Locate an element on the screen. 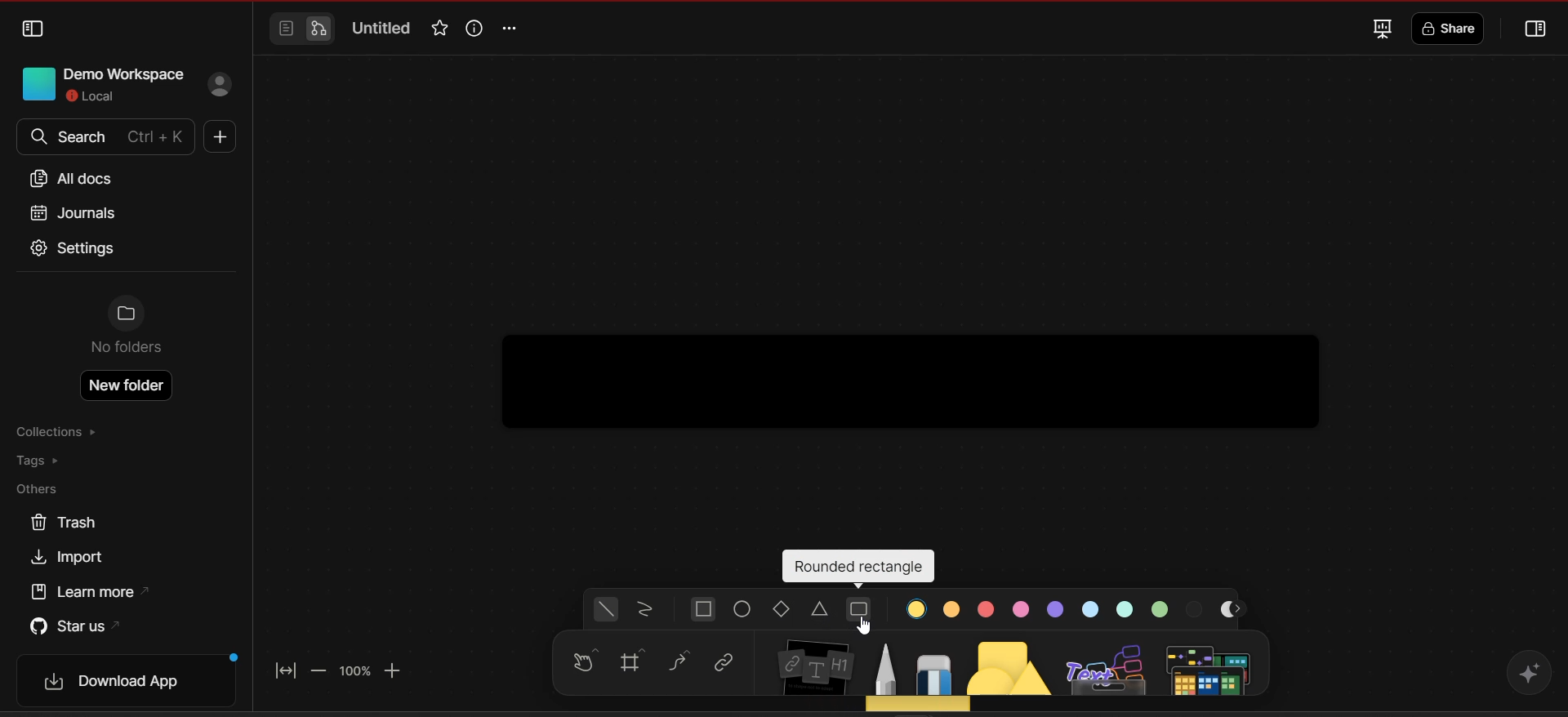  note is located at coordinates (817, 663).